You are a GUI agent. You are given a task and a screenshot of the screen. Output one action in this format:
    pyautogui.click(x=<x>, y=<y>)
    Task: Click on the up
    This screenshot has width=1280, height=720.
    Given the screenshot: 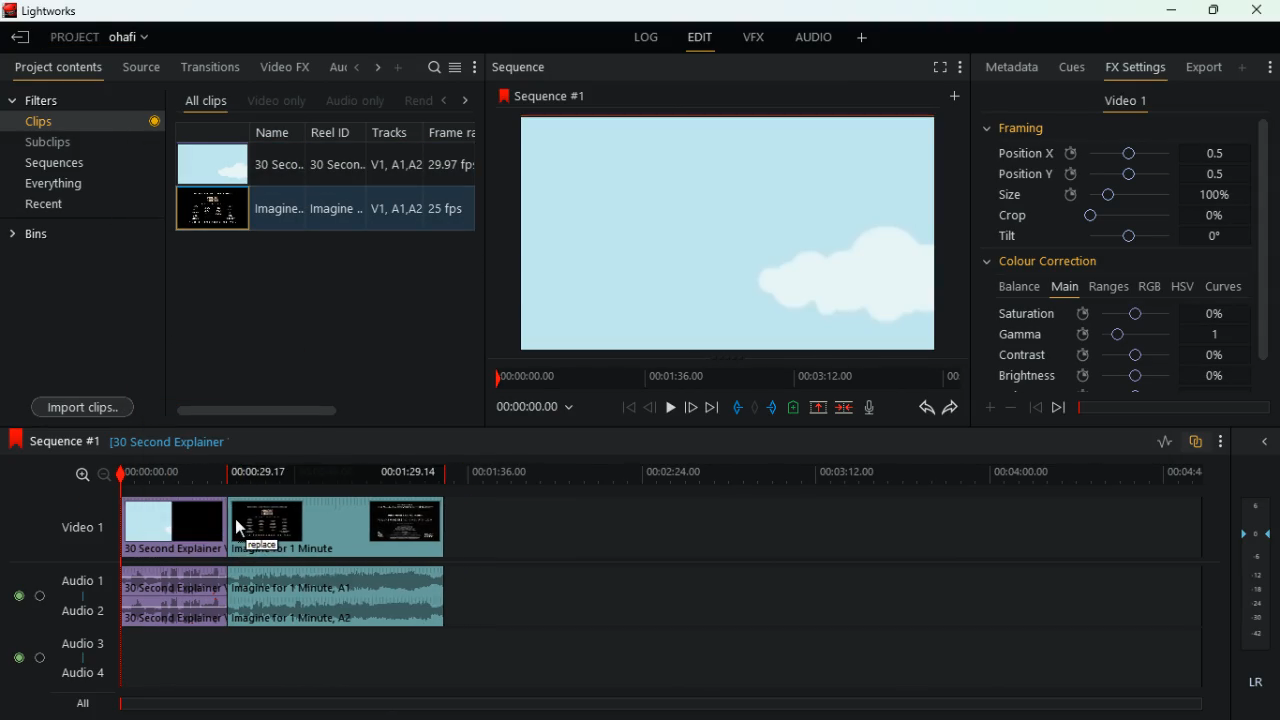 What is the action you would take?
    pyautogui.click(x=819, y=409)
    